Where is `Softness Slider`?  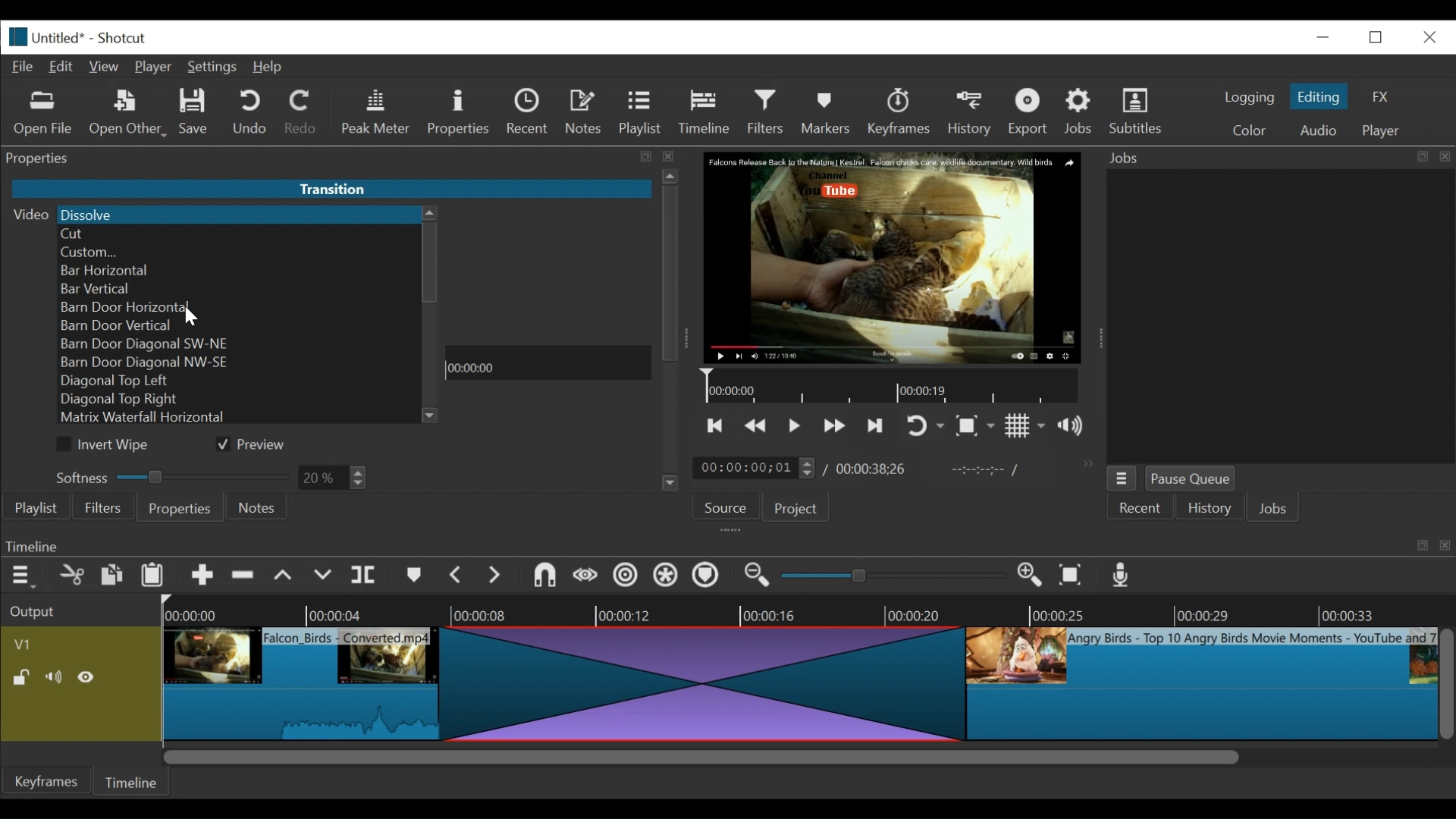
Softness Slider is located at coordinates (171, 475).